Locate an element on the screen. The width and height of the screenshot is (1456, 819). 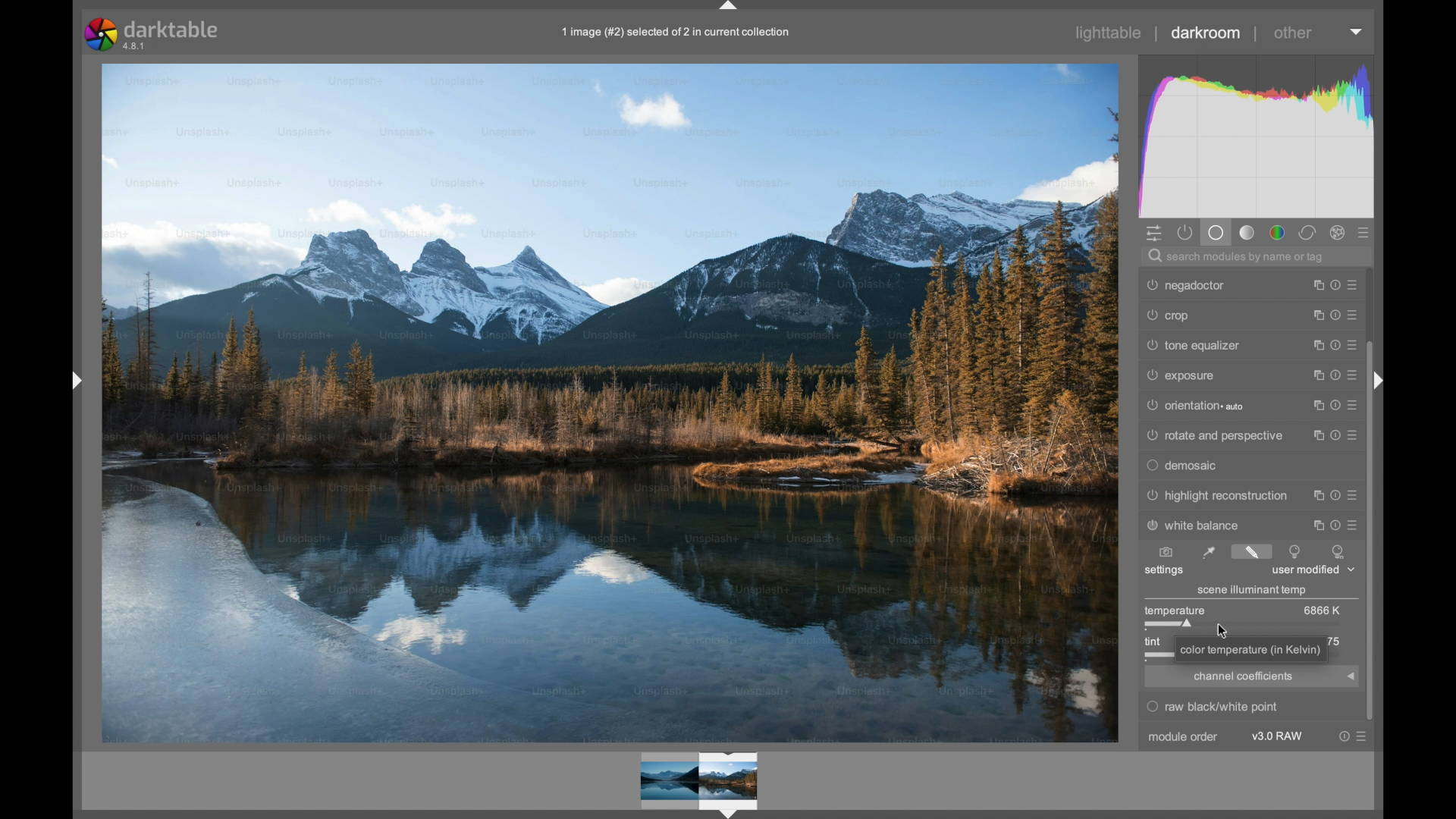
instance is located at coordinates (1314, 309).